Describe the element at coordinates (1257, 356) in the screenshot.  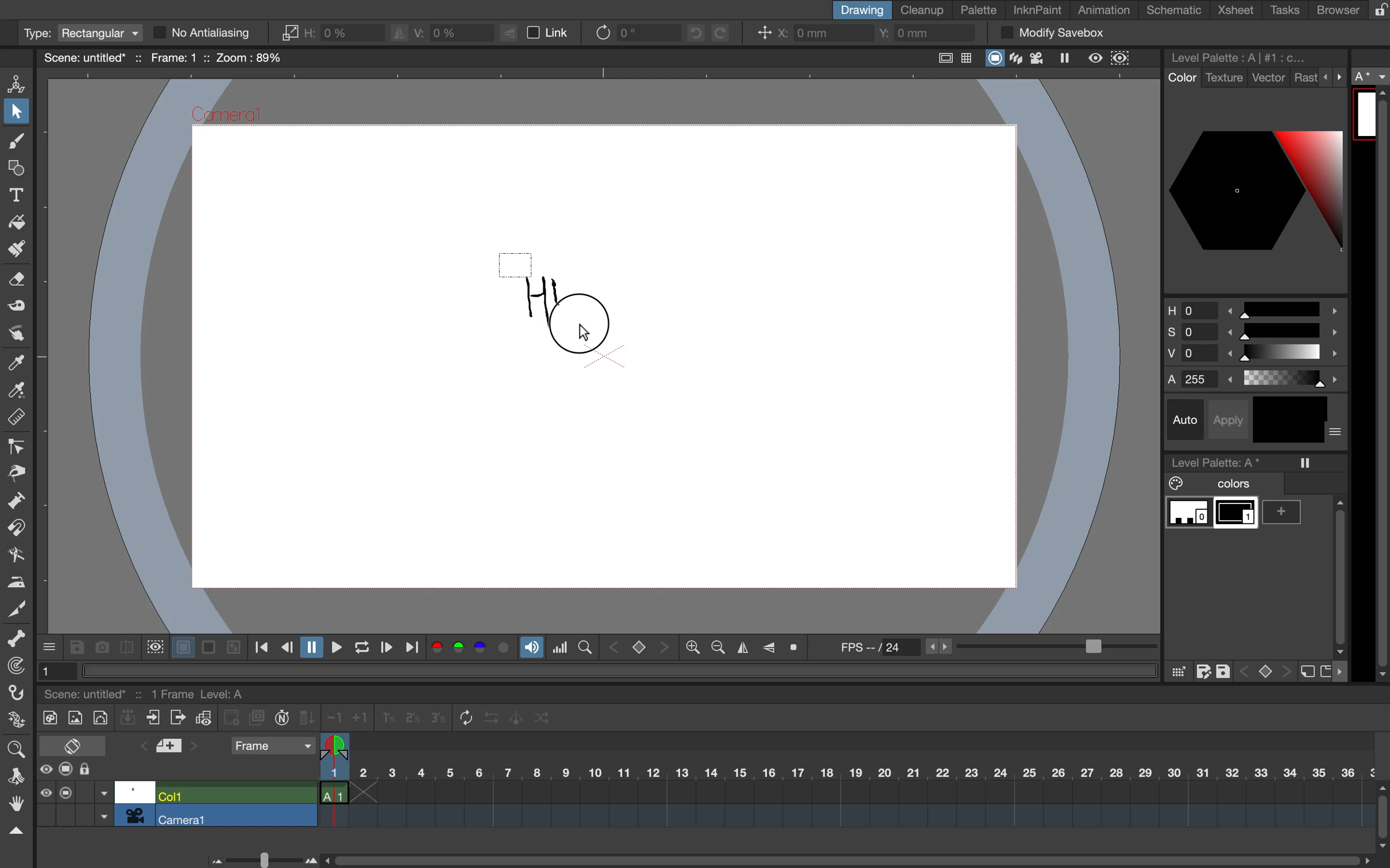
I see `brightness` at that location.